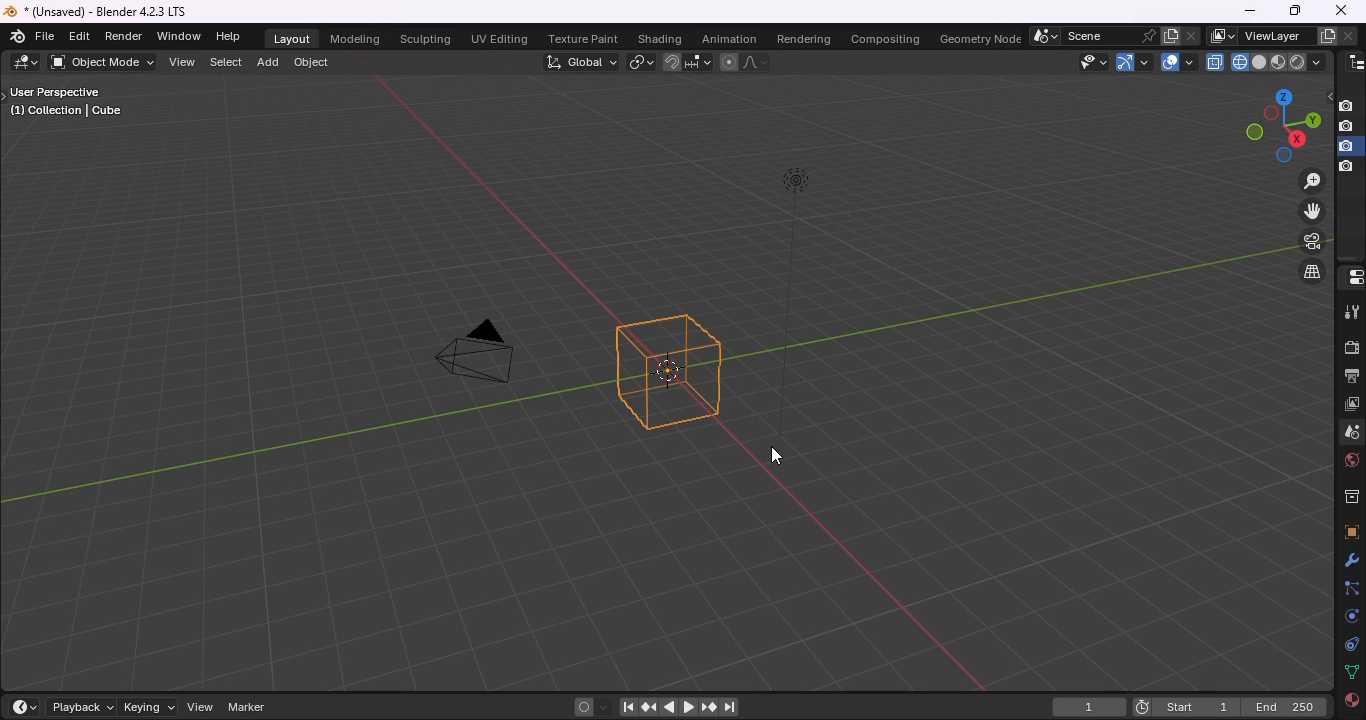 Image resolution: width=1366 pixels, height=720 pixels. What do you see at coordinates (1351, 347) in the screenshot?
I see `render` at bounding box center [1351, 347].